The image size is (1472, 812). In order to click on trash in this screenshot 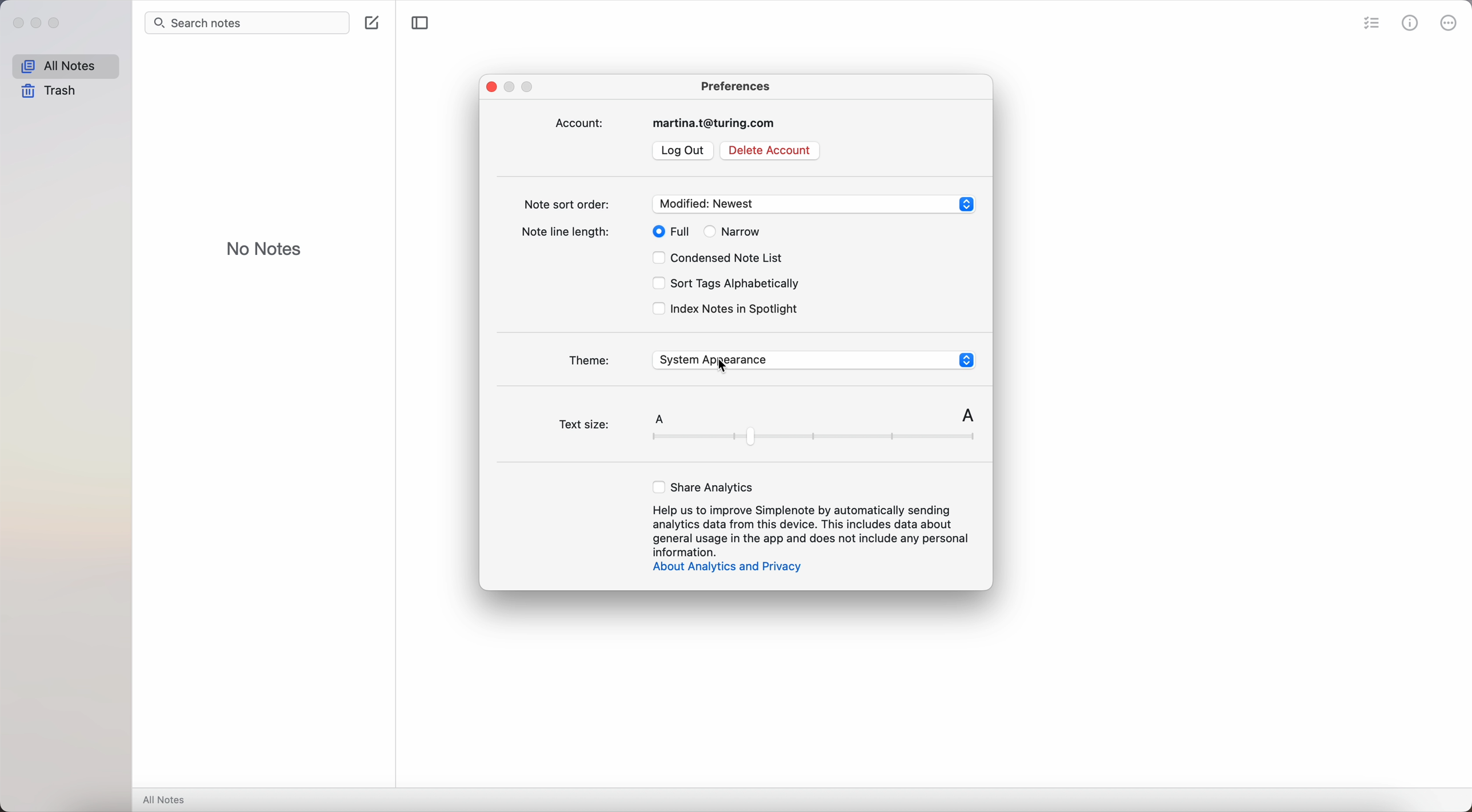, I will do `click(51, 91)`.